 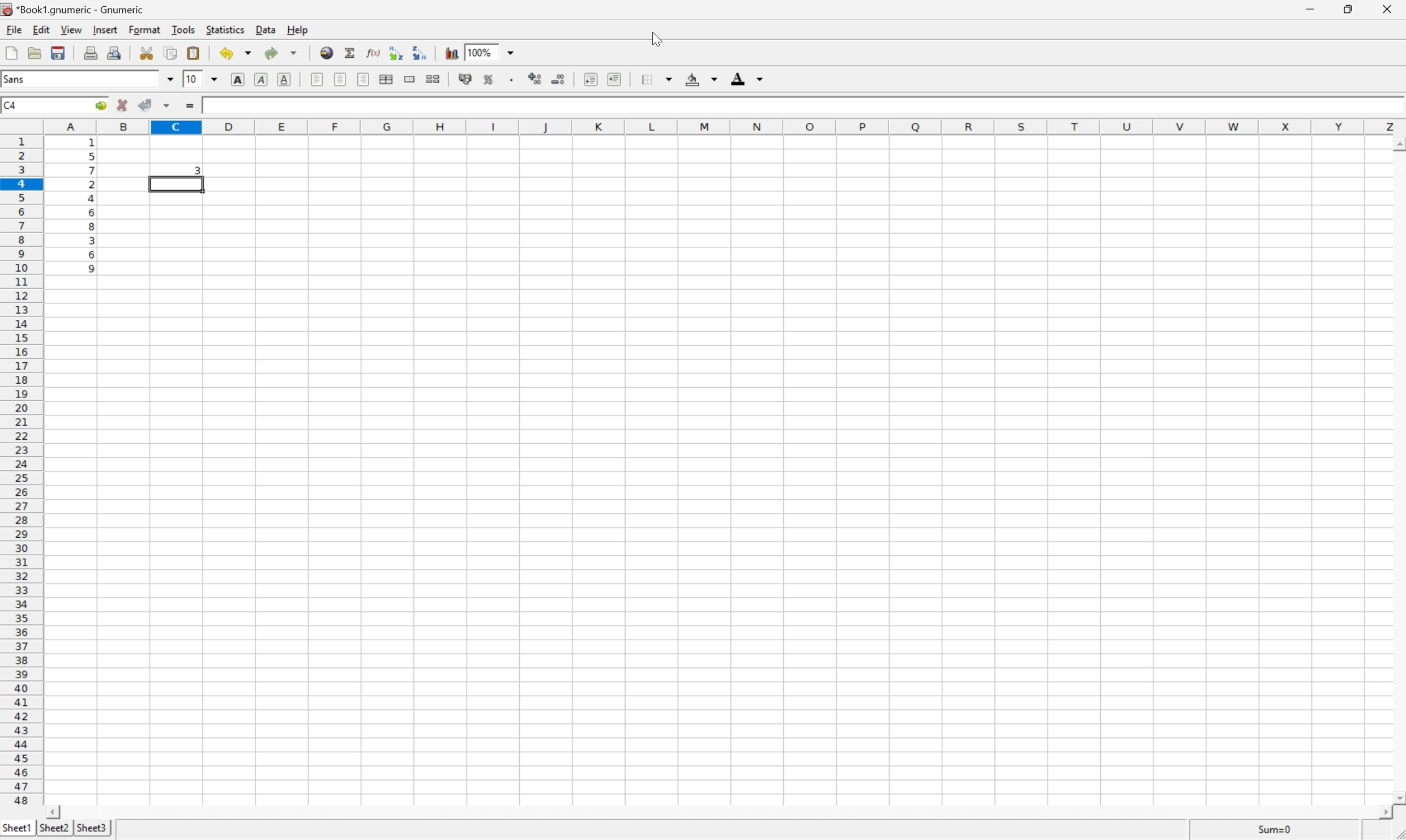 I want to click on foreground, so click(x=746, y=78).